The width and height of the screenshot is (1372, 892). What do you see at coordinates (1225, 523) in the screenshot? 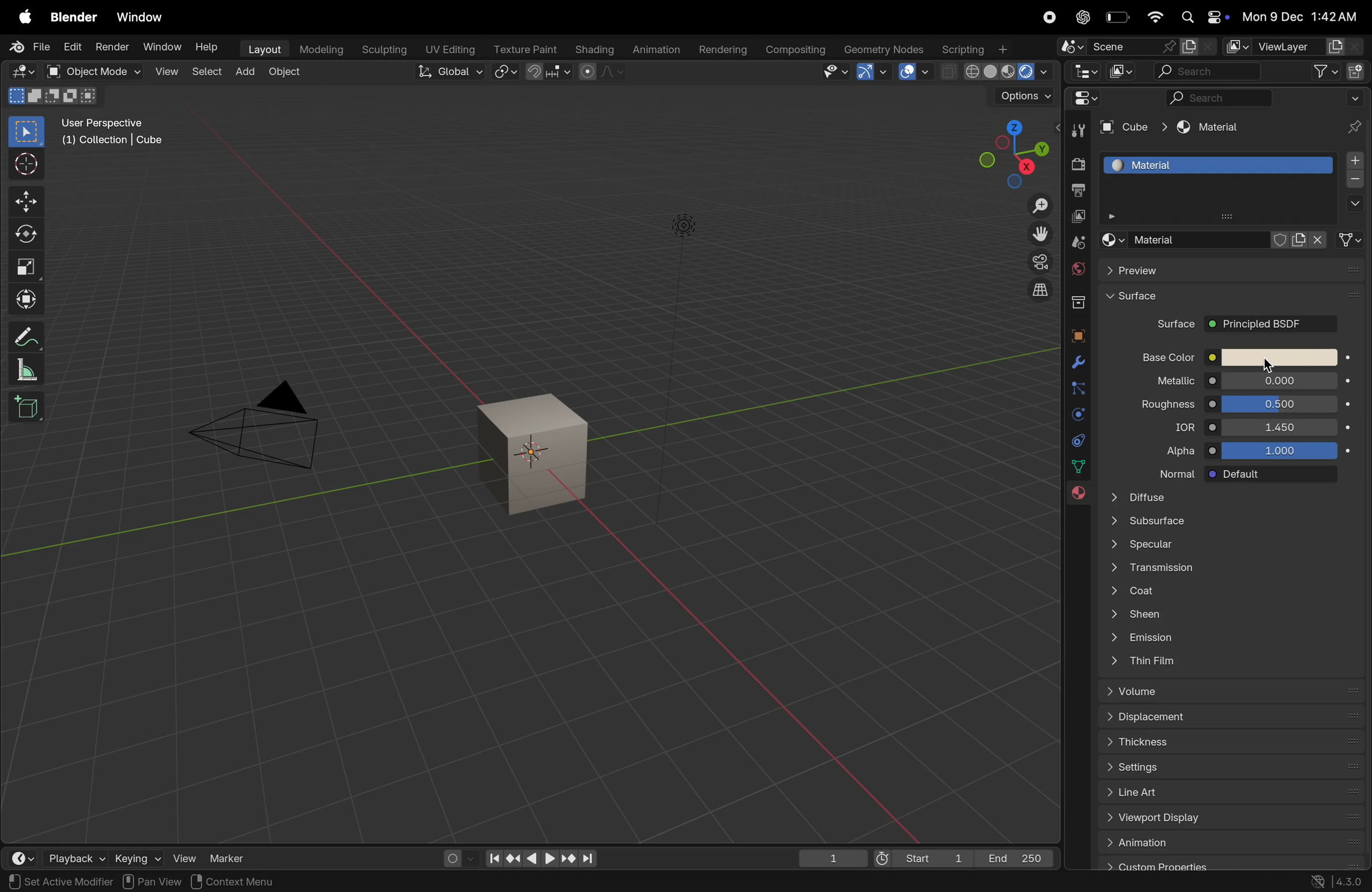
I see `subsurface` at bounding box center [1225, 523].